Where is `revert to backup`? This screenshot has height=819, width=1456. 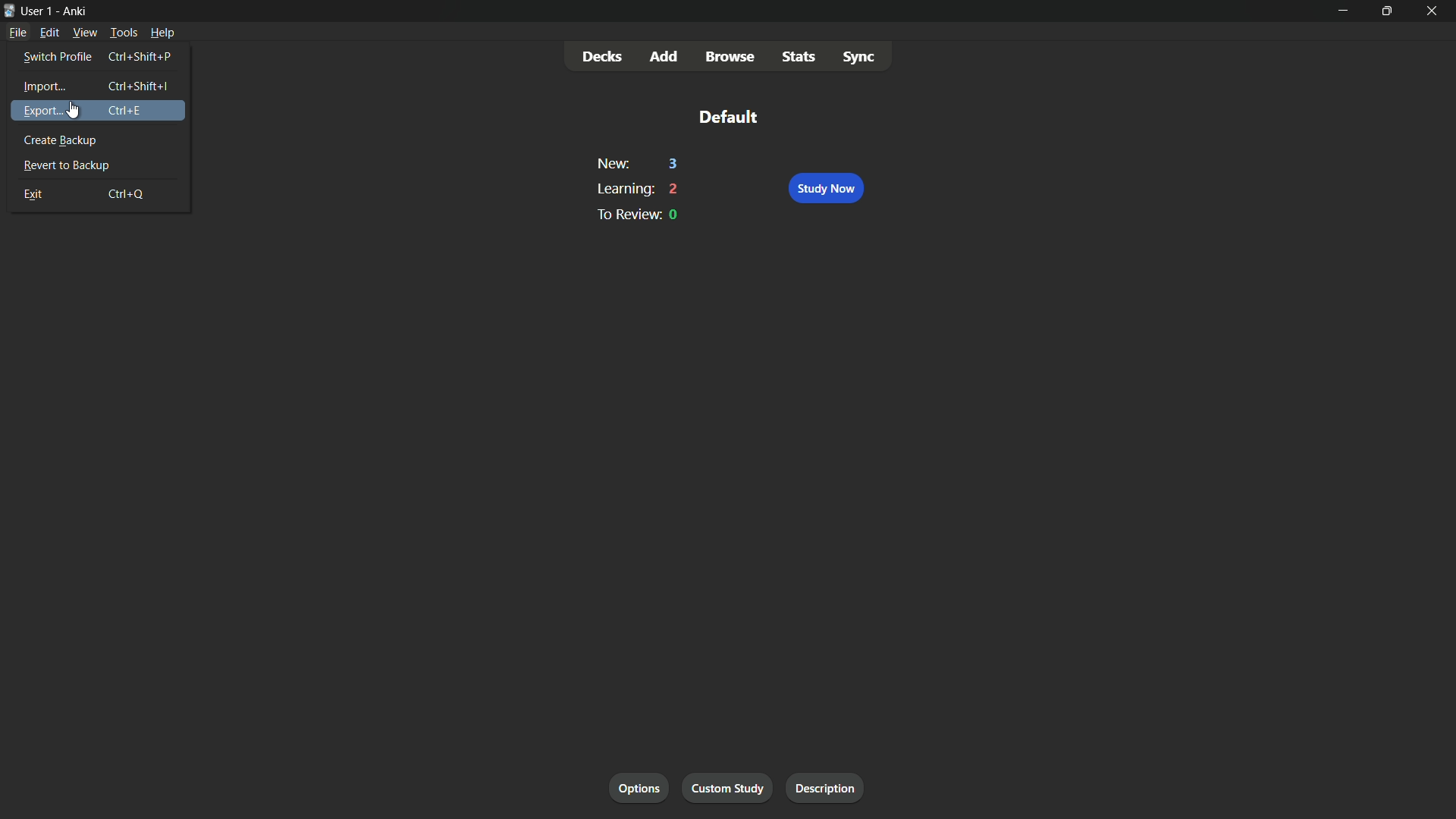
revert to backup is located at coordinates (65, 165).